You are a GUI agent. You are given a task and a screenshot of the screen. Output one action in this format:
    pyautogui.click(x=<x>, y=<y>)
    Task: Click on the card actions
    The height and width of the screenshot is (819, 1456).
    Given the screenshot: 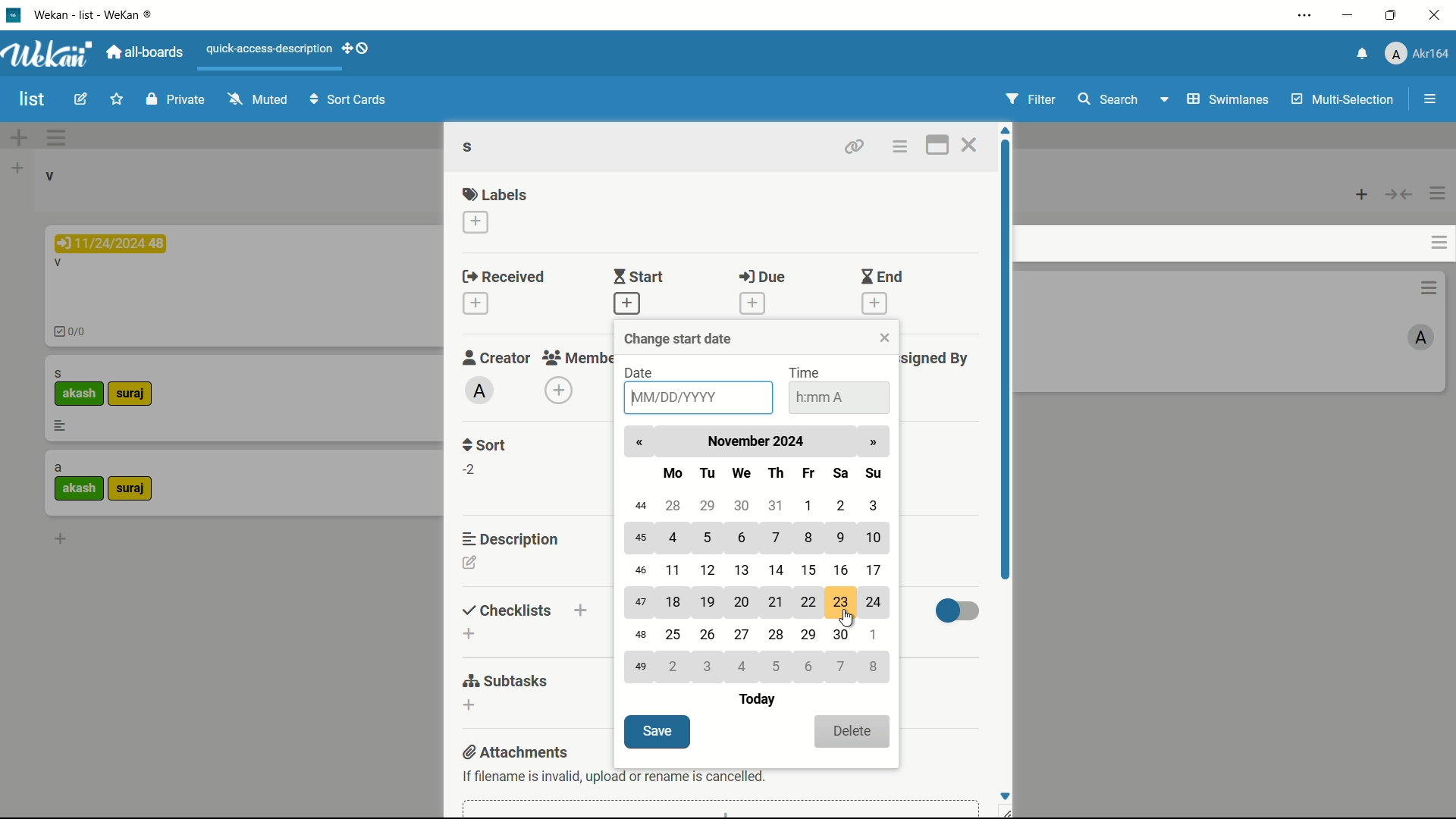 What is the action you would take?
    pyautogui.click(x=900, y=149)
    